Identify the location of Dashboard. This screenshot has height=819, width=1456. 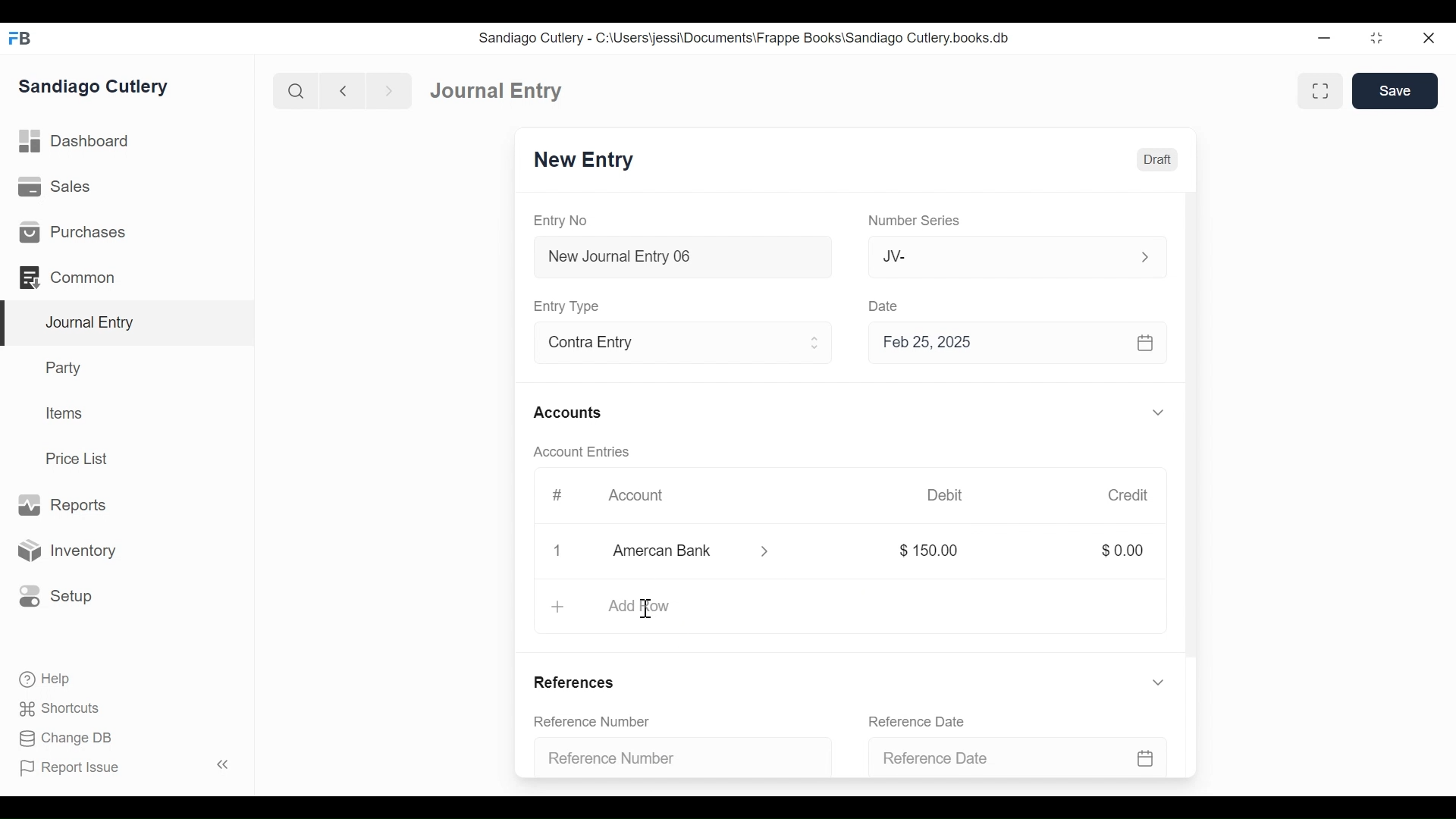
(76, 142).